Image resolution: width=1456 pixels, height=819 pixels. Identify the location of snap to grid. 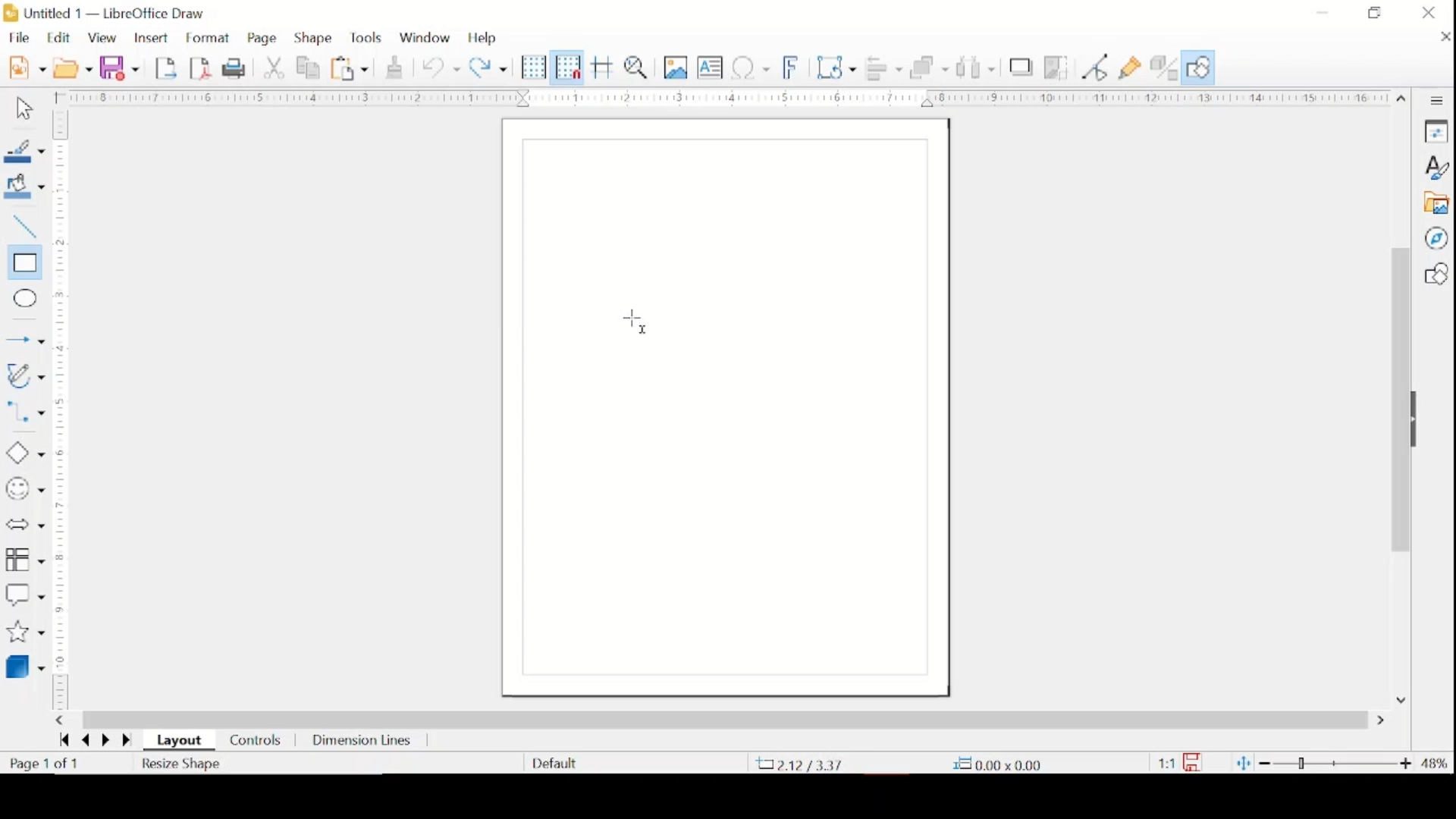
(568, 67).